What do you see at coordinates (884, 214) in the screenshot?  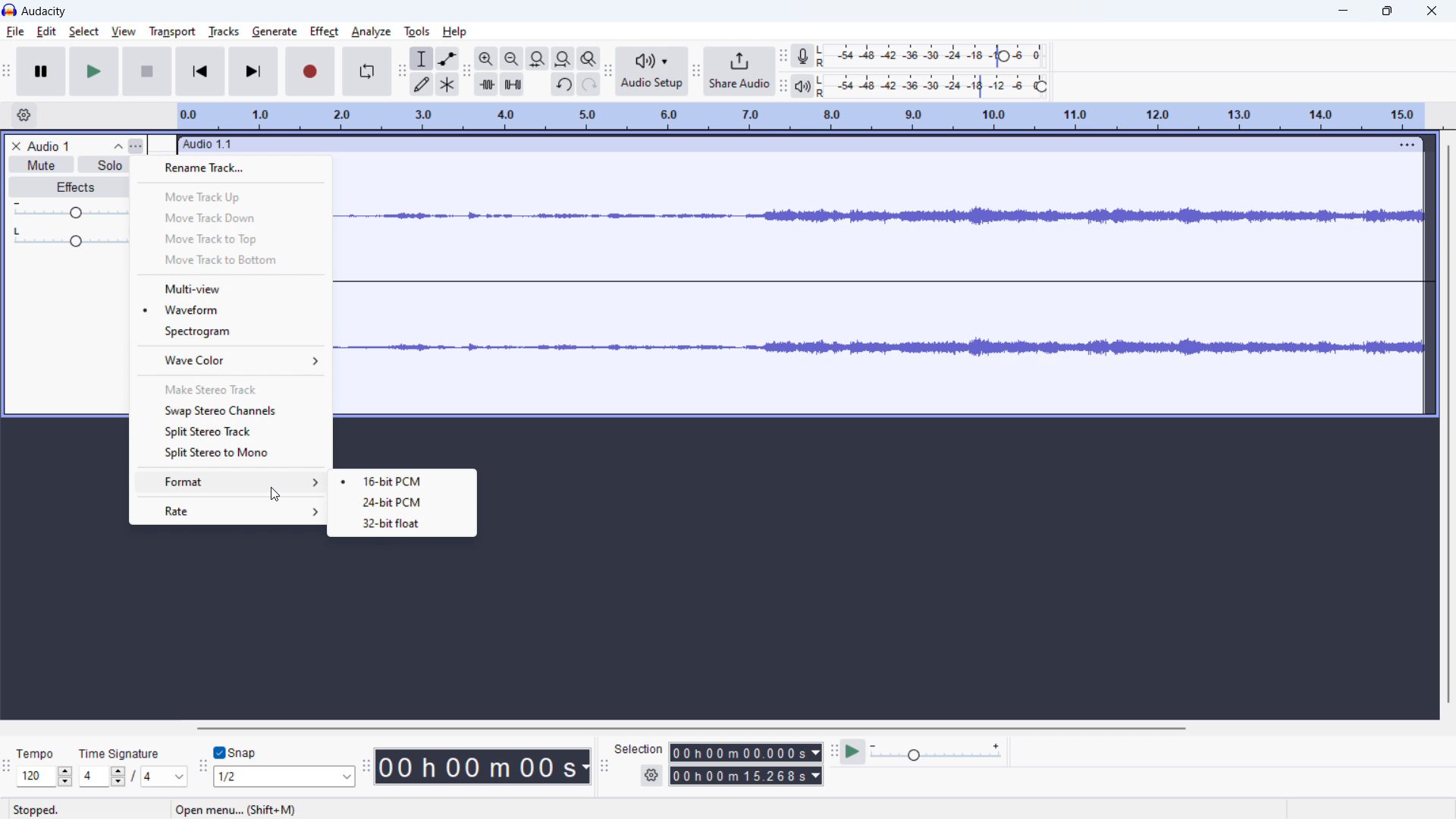 I see `track waveform` at bounding box center [884, 214].